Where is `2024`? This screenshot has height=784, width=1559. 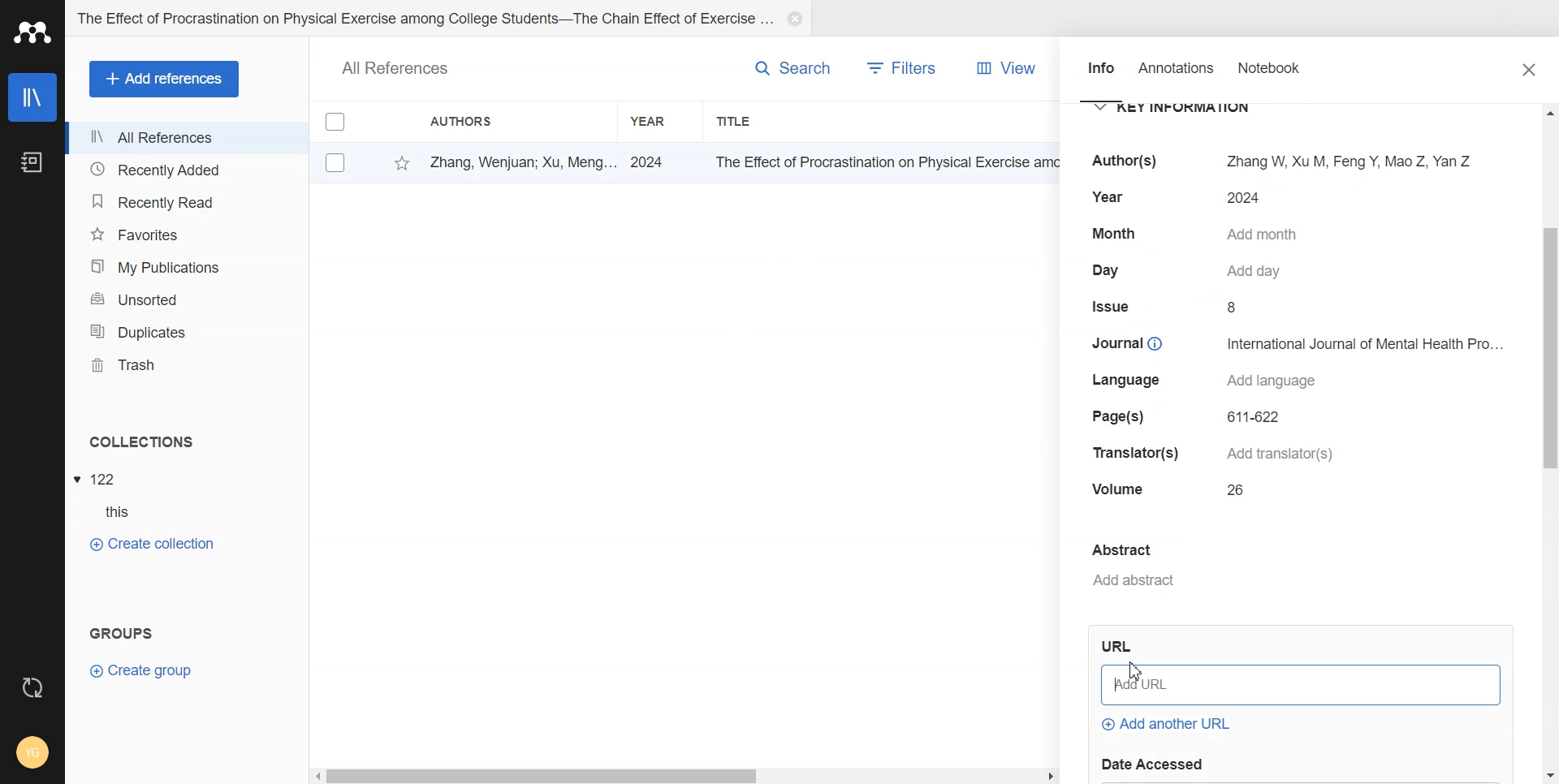
2024 is located at coordinates (653, 161).